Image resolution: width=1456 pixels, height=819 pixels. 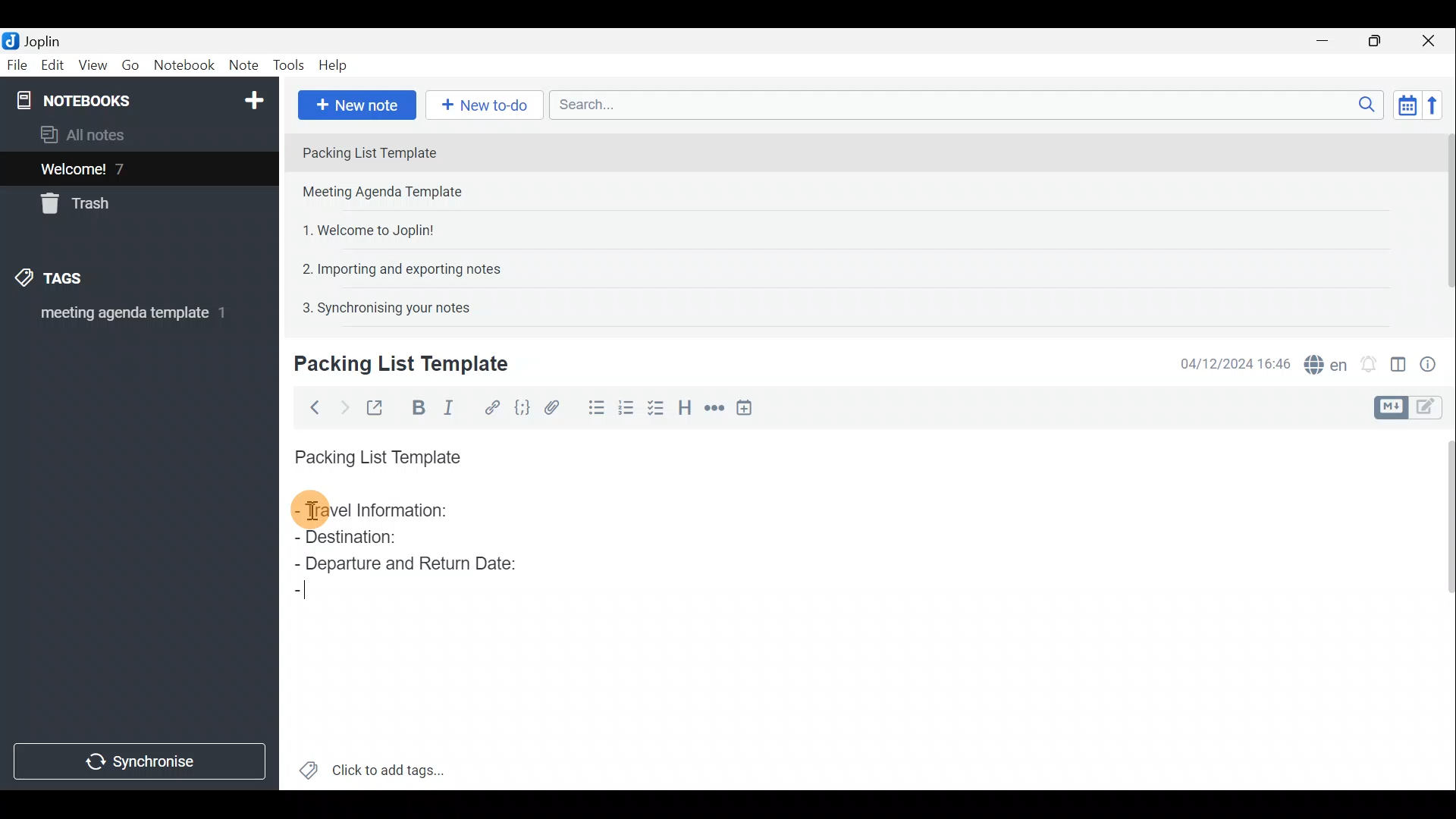 I want to click on Toggle editor layout, so click(x=1398, y=359).